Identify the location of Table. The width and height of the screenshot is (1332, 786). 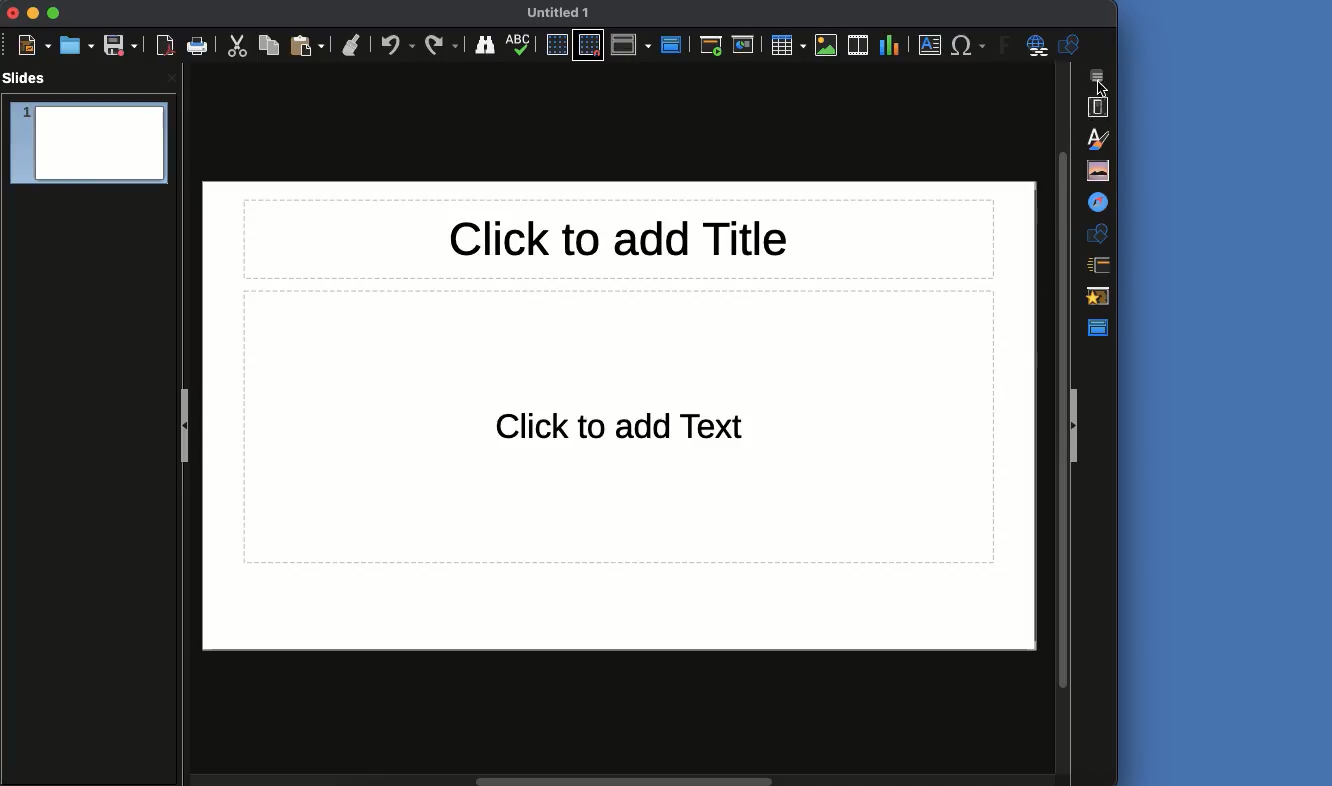
(787, 44).